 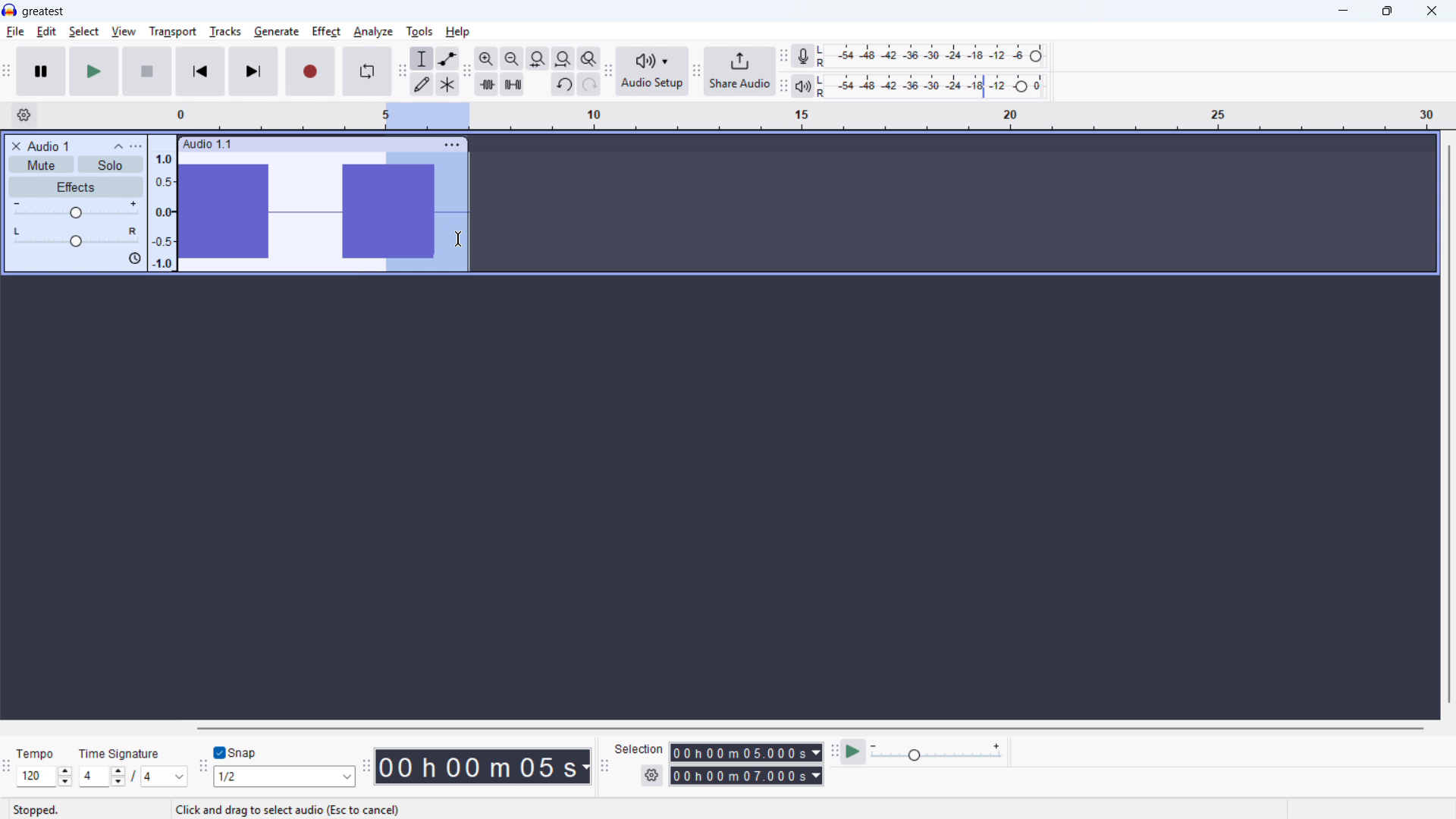 What do you see at coordinates (419, 32) in the screenshot?
I see `tools` at bounding box center [419, 32].